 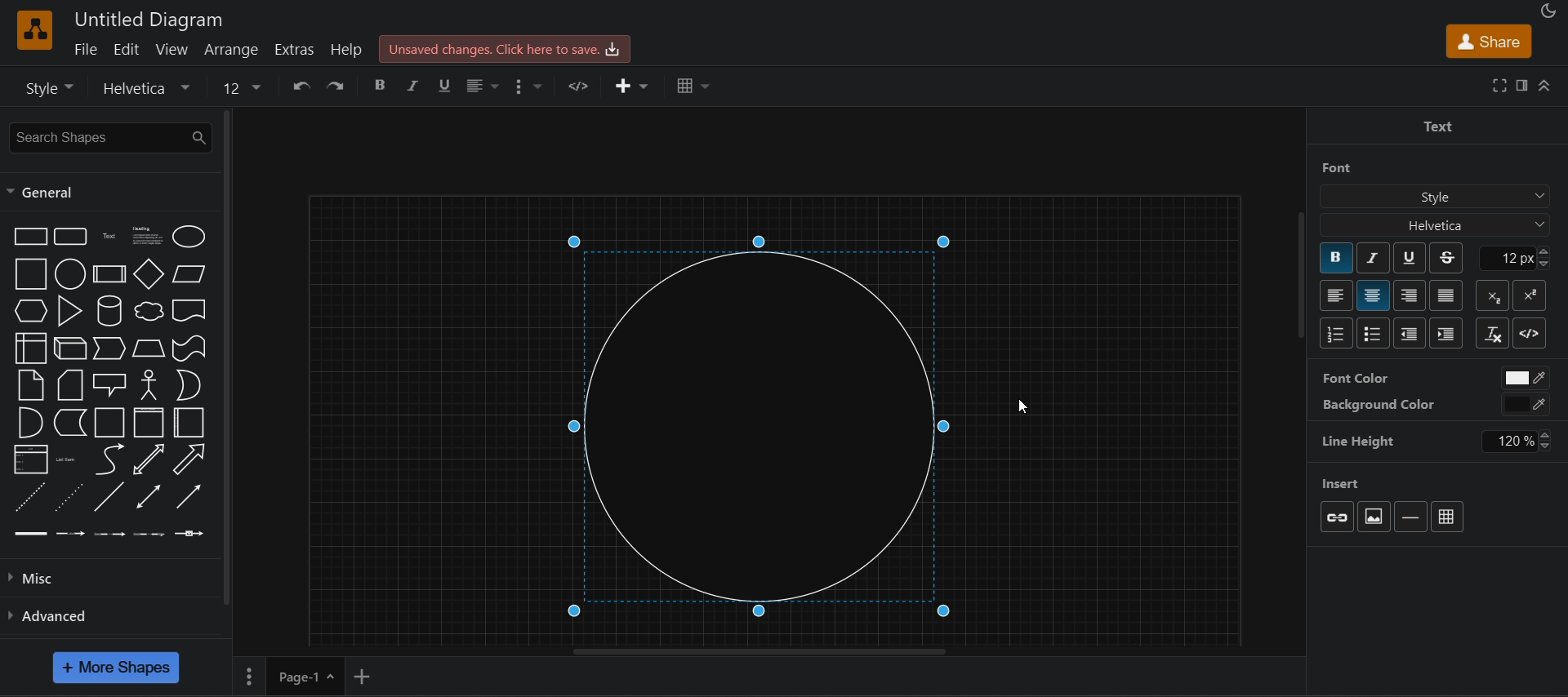 I want to click on html, so click(x=1530, y=333).